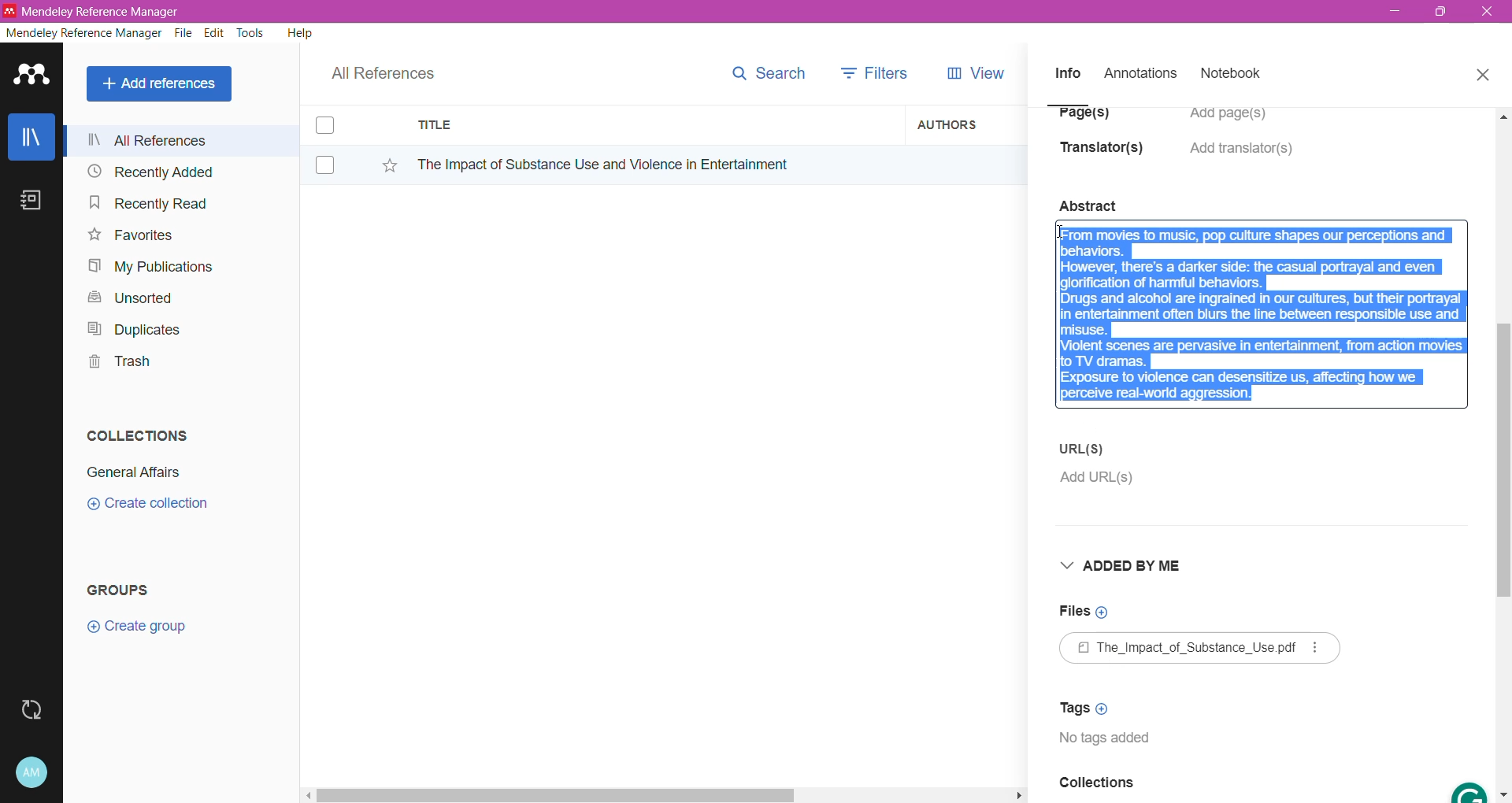  What do you see at coordinates (183, 34) in the screenshot?
I see `File` at bounding box center [183, 34].